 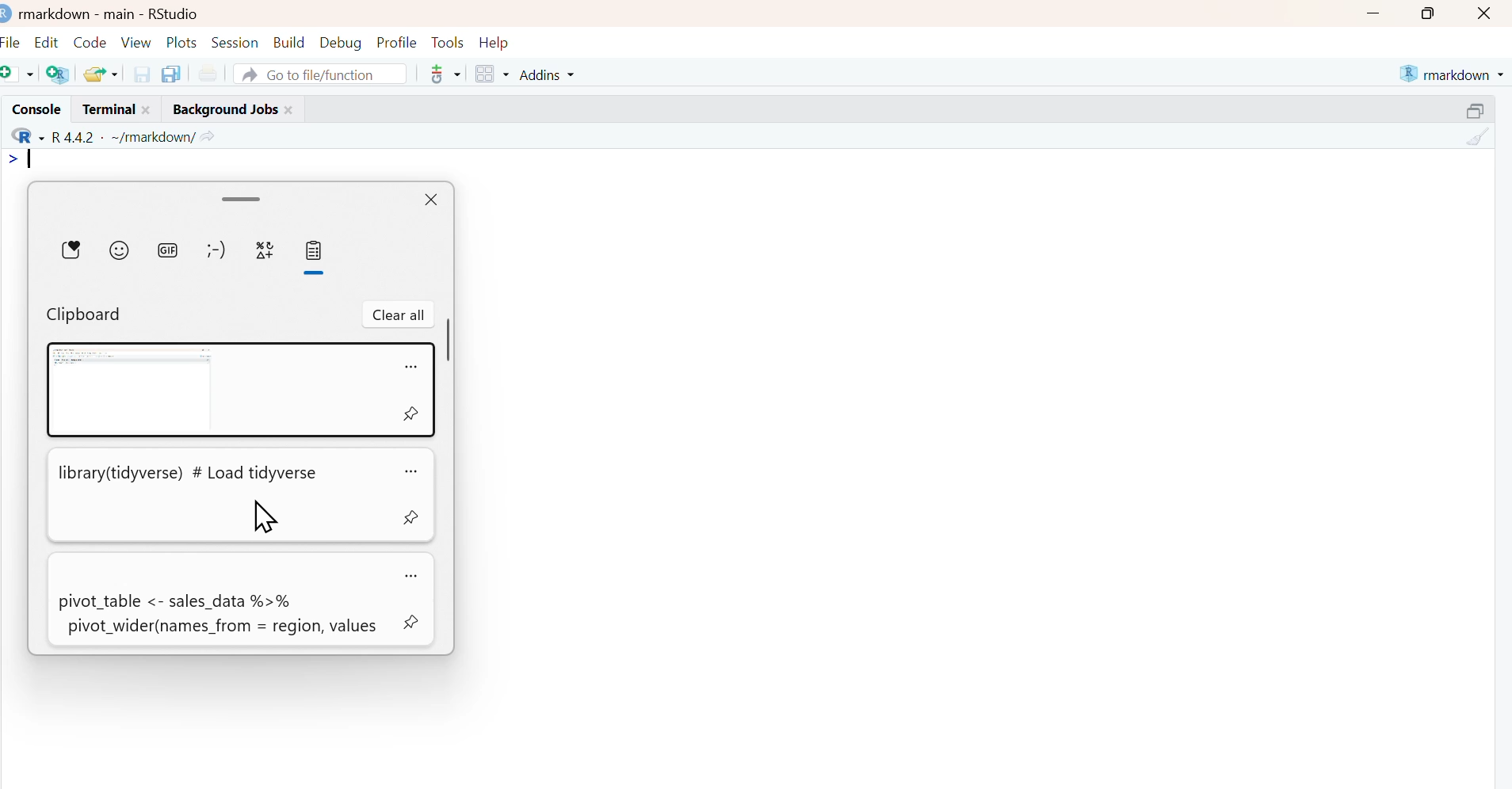 I want to click on new file, so click(x=19, y=73).